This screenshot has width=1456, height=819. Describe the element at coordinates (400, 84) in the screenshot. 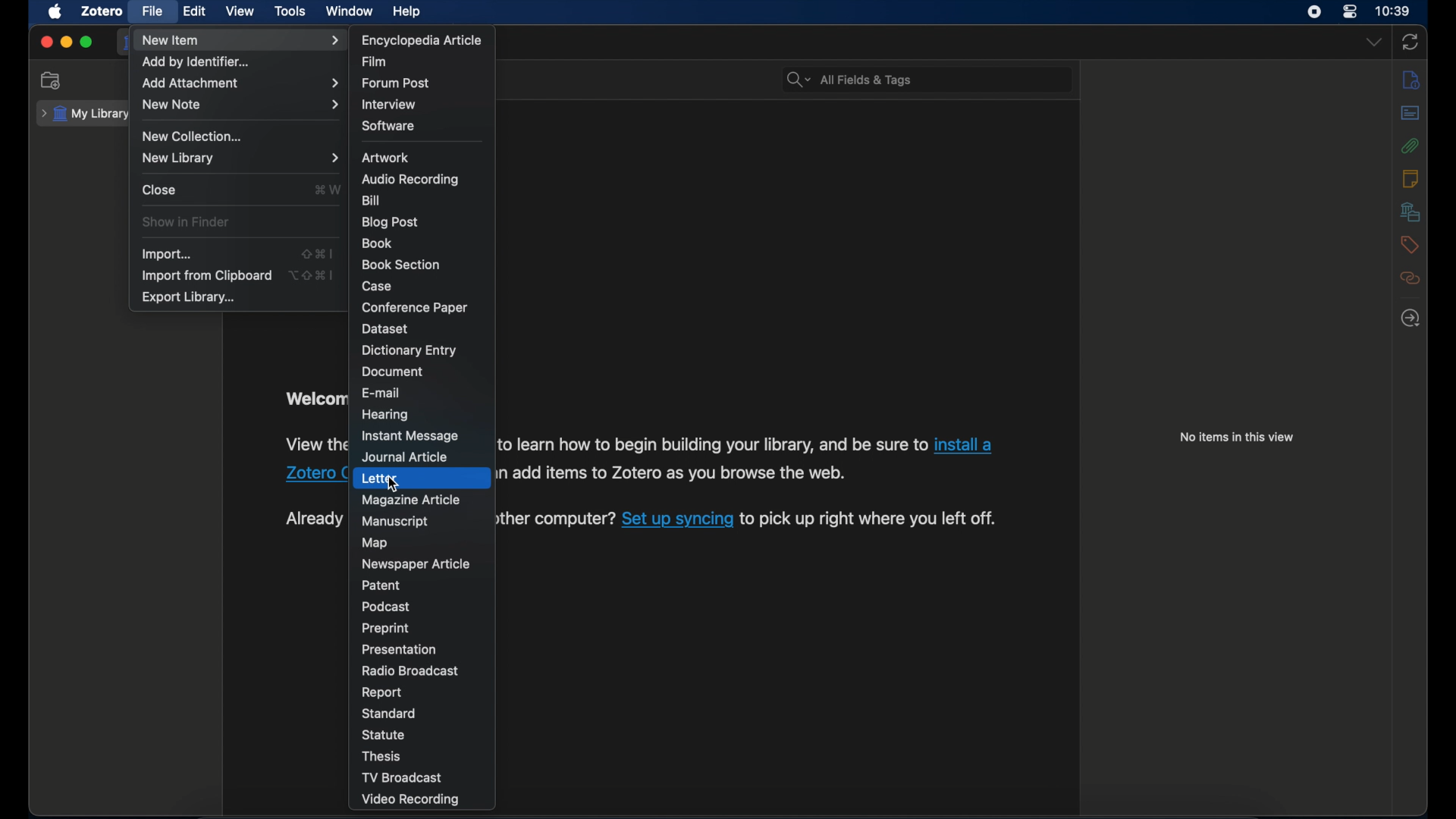

I see `forum post` at that location.